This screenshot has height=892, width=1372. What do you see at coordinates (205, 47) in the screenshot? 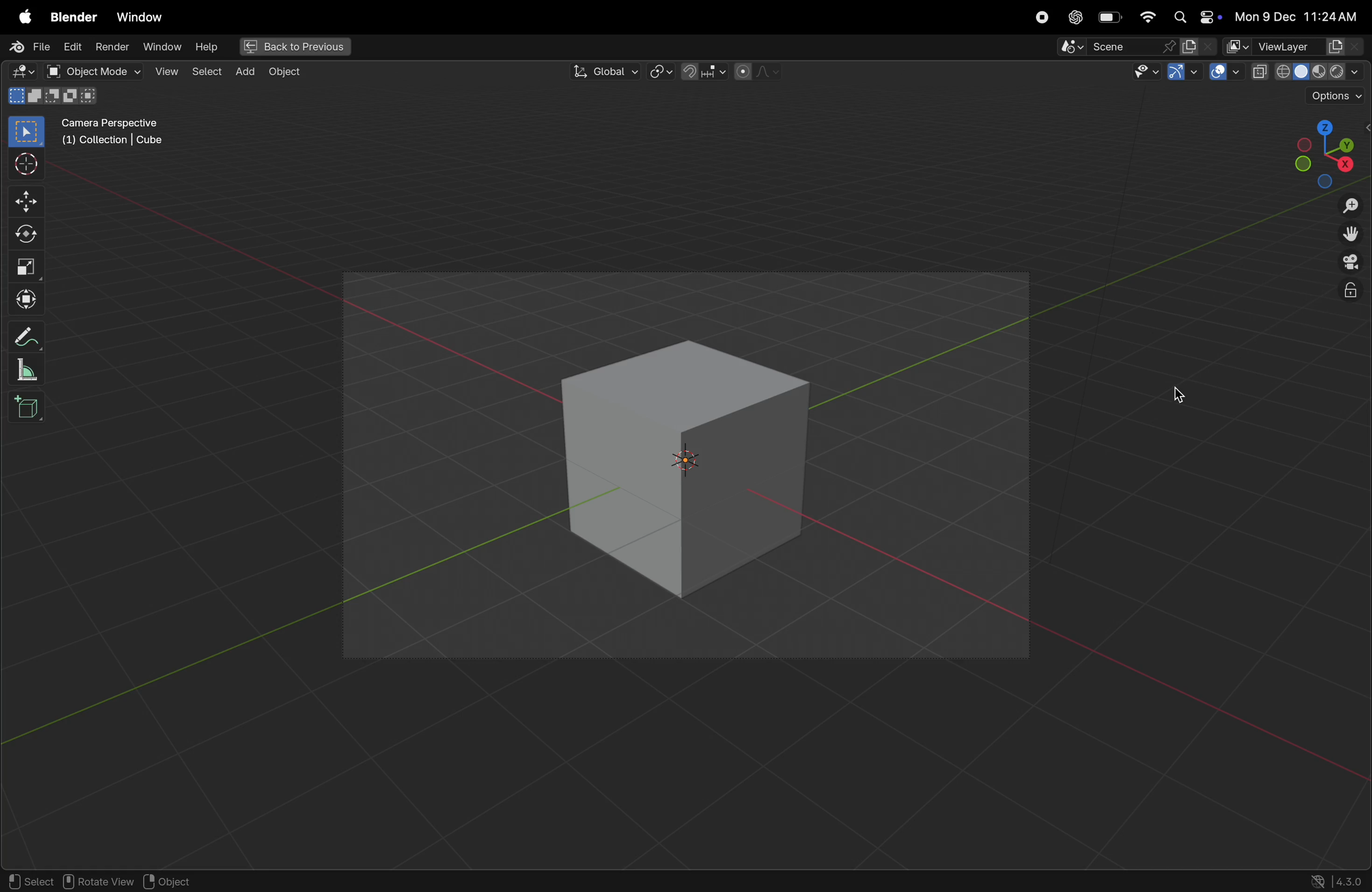
I see `help` at bounding box center [205, 47].